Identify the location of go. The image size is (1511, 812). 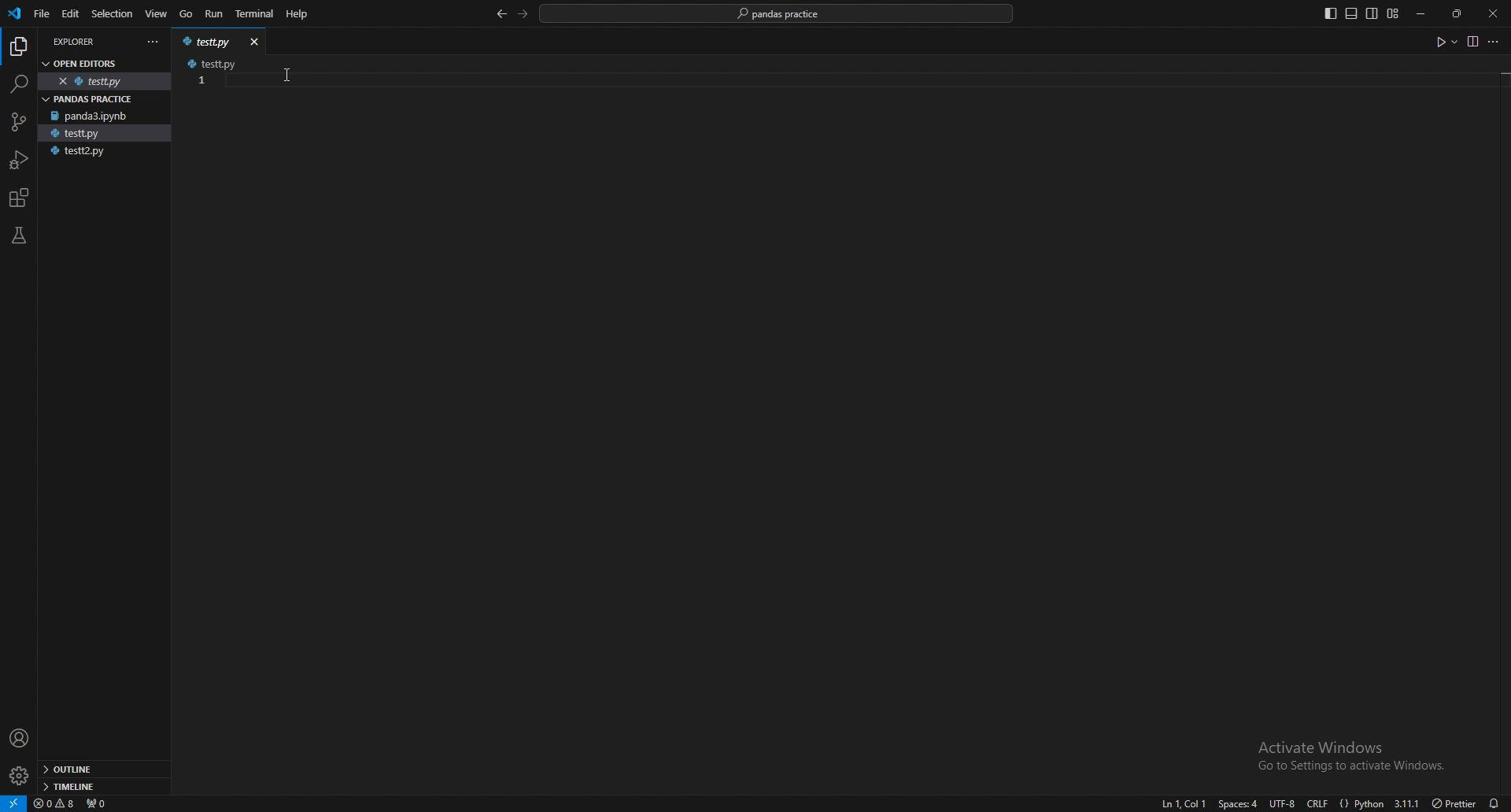
(186, 15).